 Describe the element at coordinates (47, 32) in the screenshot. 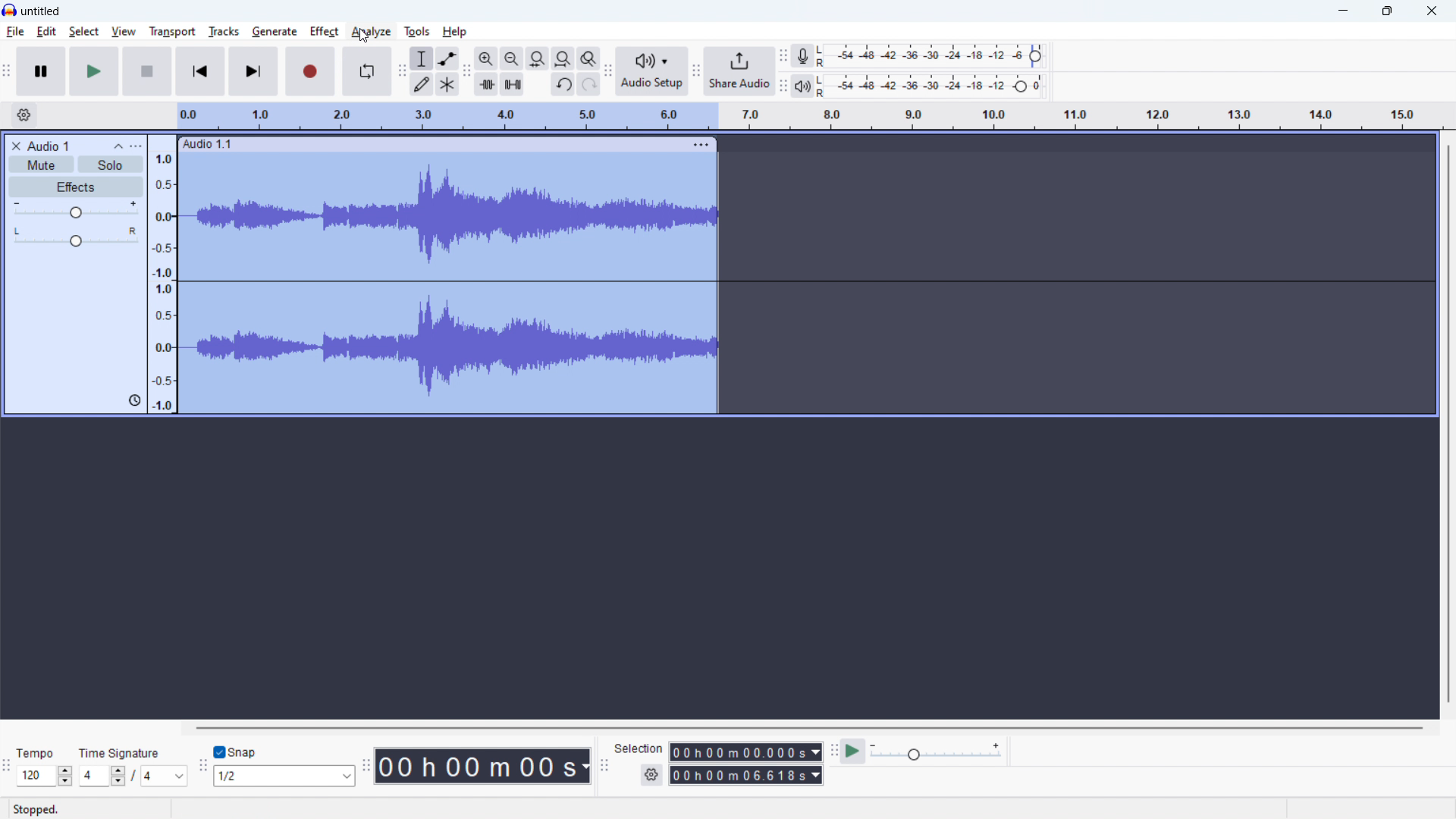

I see `edit` at that location.